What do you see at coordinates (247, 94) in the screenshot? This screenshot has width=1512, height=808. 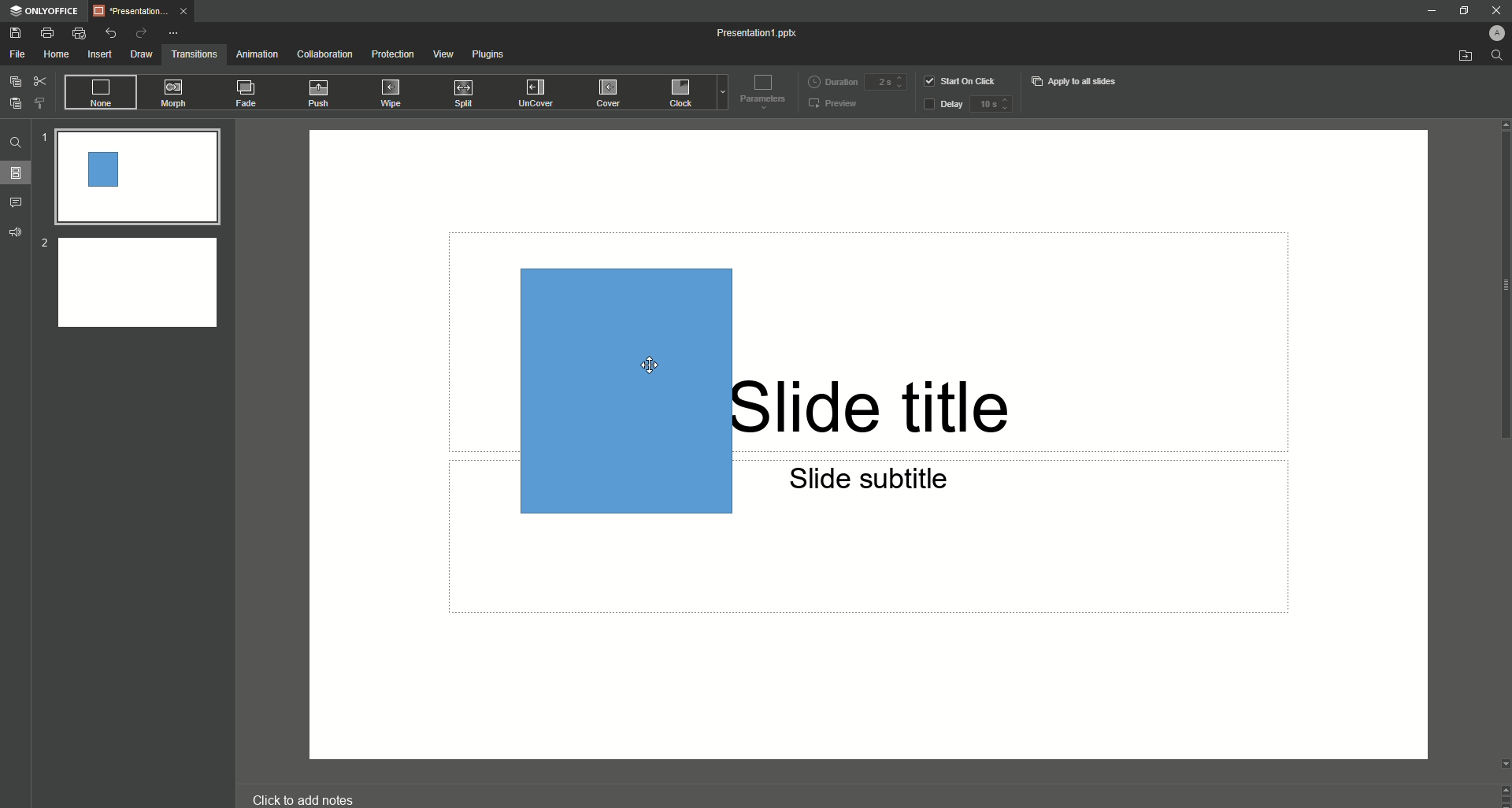 I see `Fade` at bounding box center [247, 94].